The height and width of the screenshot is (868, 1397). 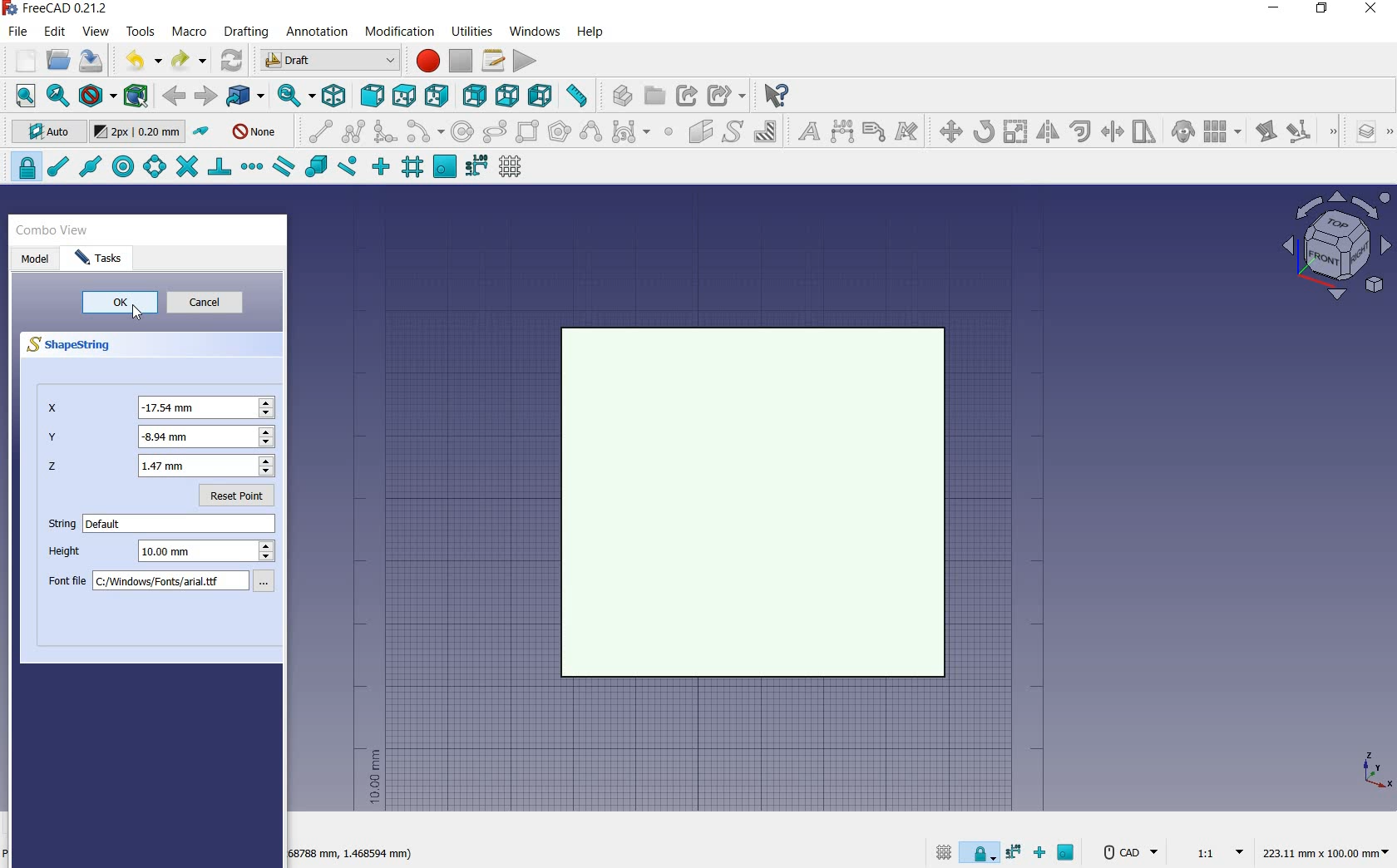 I want to click on ok, so click(x=121, y=301).